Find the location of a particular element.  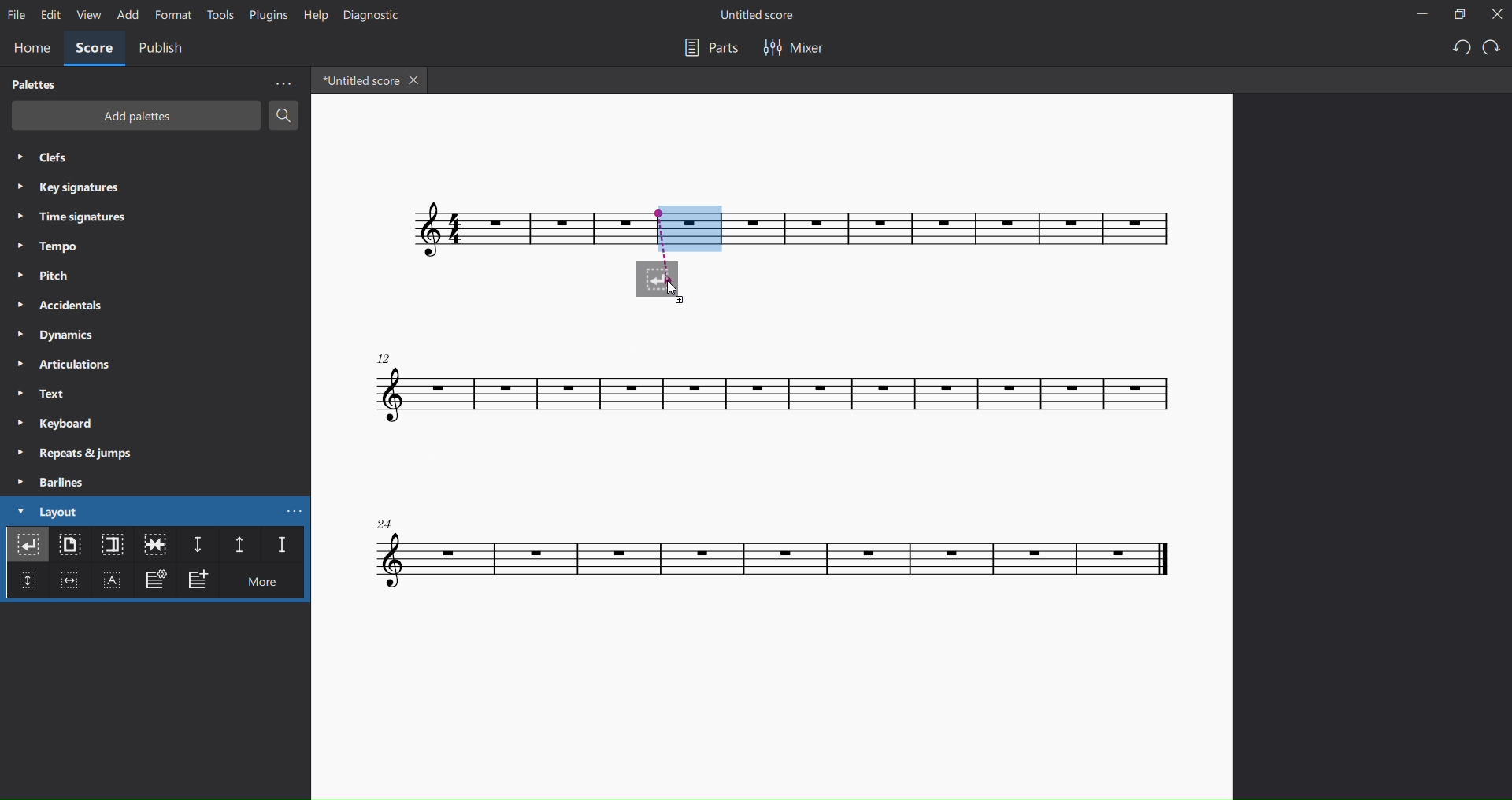

articulations is located at coordinates (64, 365).